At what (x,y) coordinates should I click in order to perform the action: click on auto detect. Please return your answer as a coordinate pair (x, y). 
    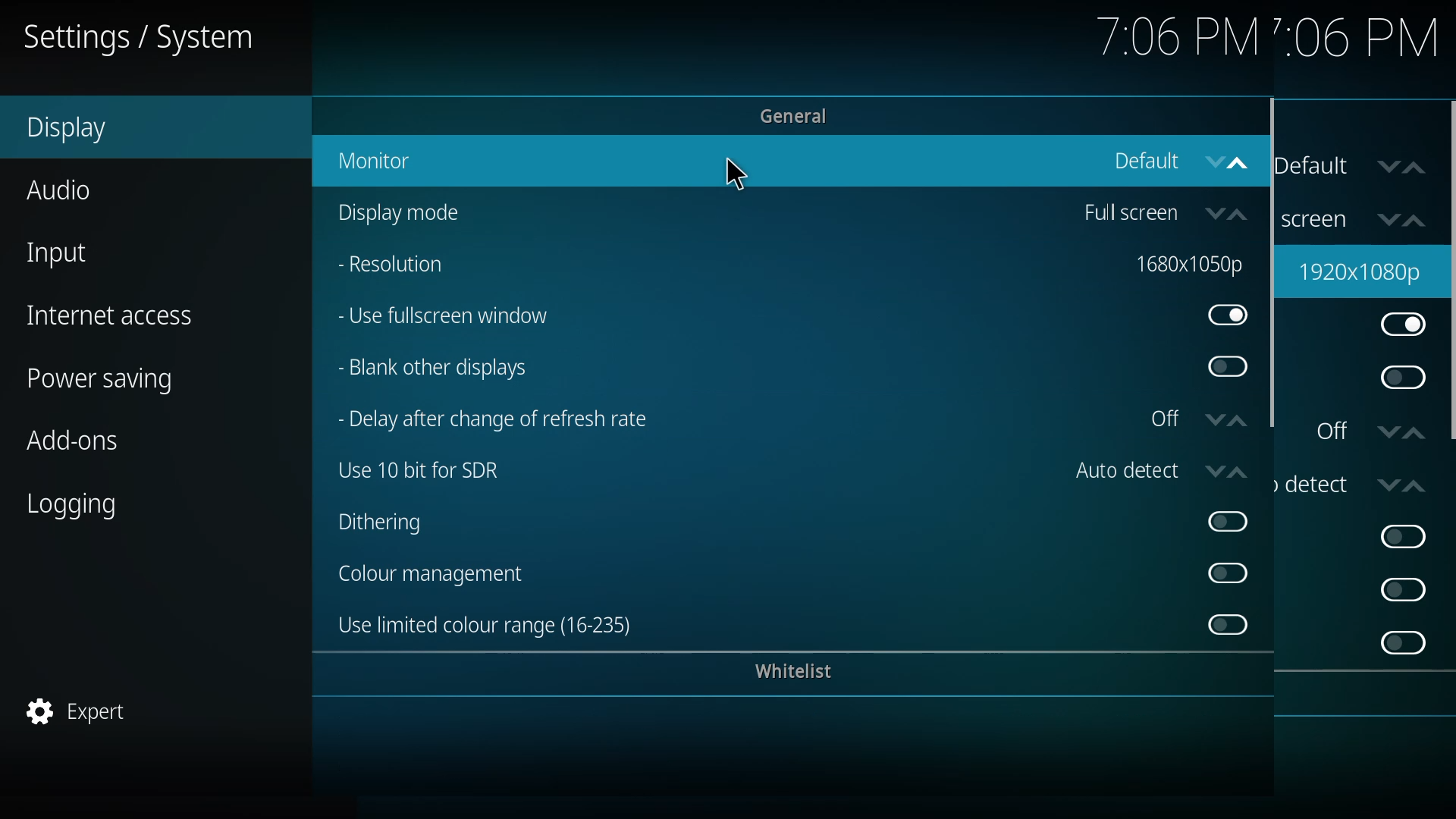
    Looking at the image, I should click on (1148, 481).